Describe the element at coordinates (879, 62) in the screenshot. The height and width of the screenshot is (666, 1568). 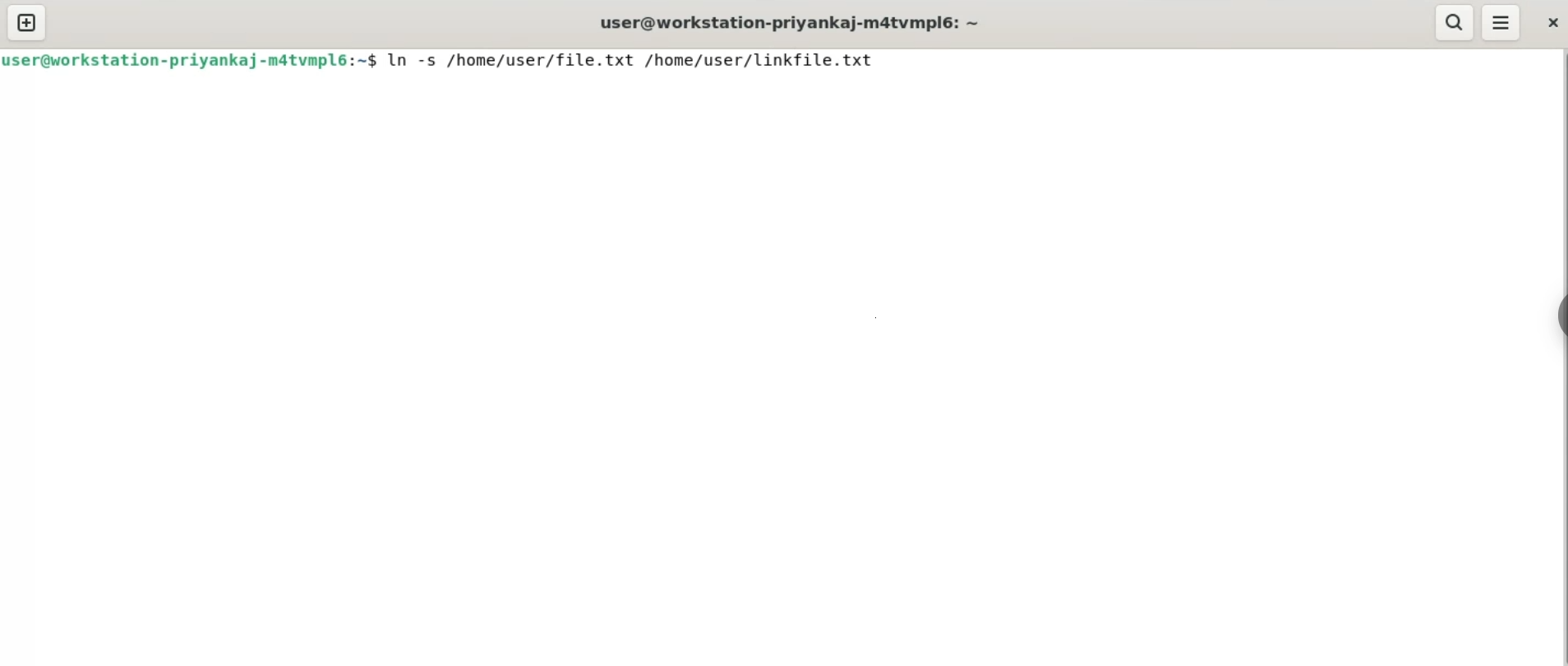
I see `cursor` at that location.